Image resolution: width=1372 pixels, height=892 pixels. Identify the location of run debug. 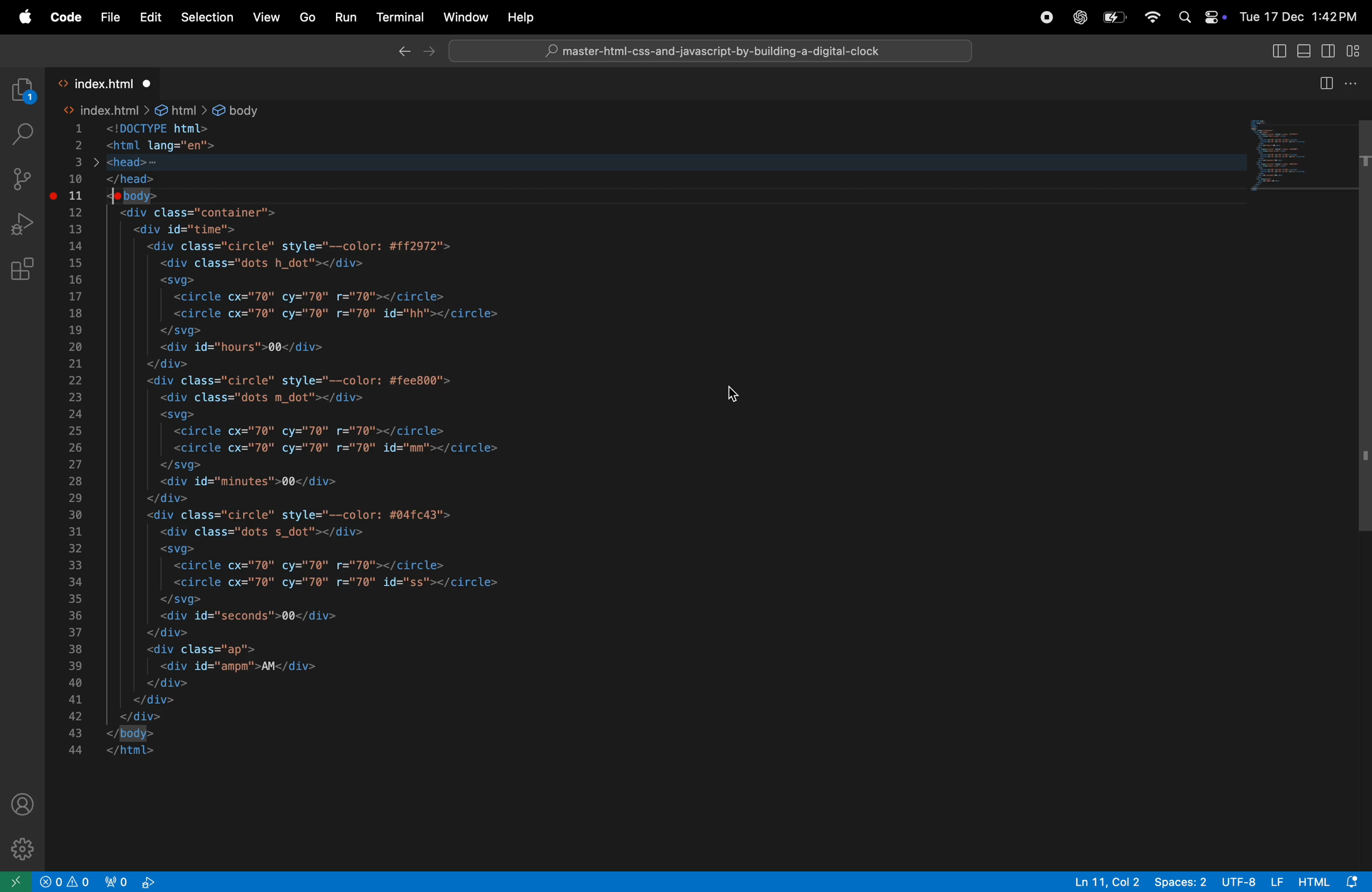
(28, 222).